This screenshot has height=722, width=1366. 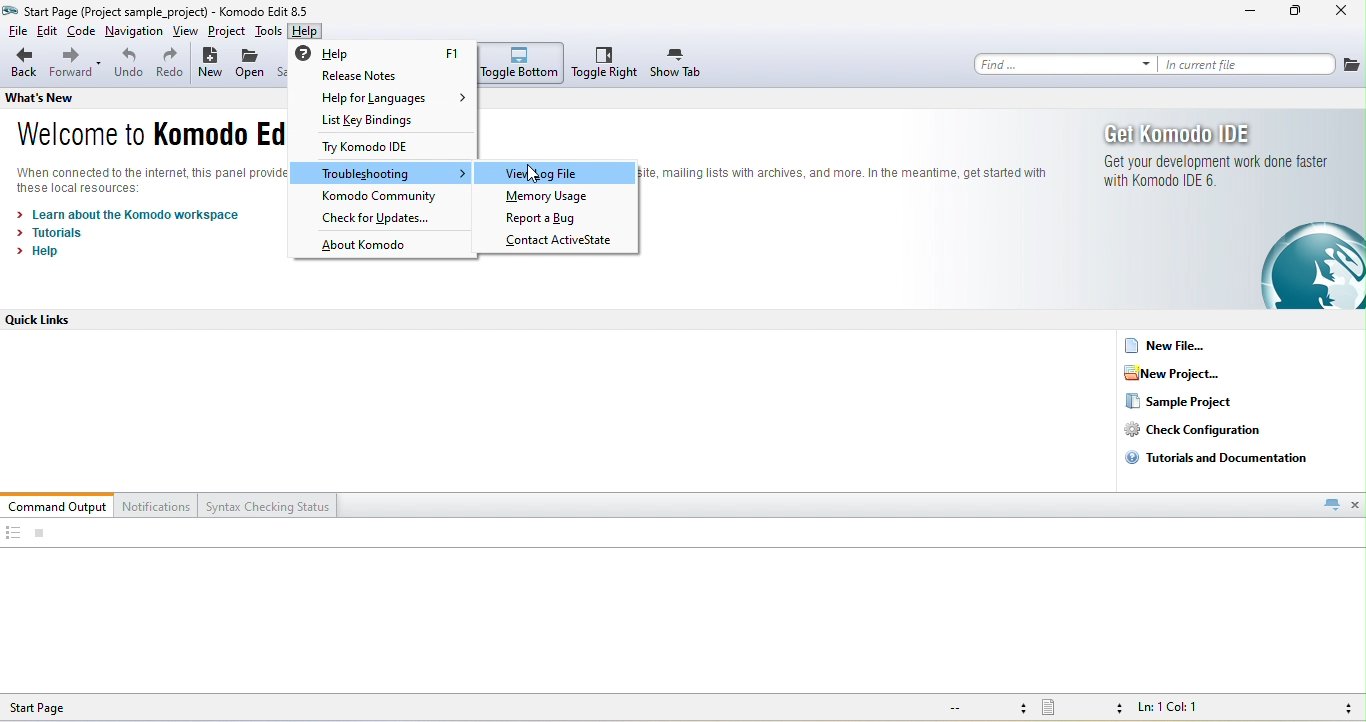 I want to click on terminate, so click(x=40, y=534).